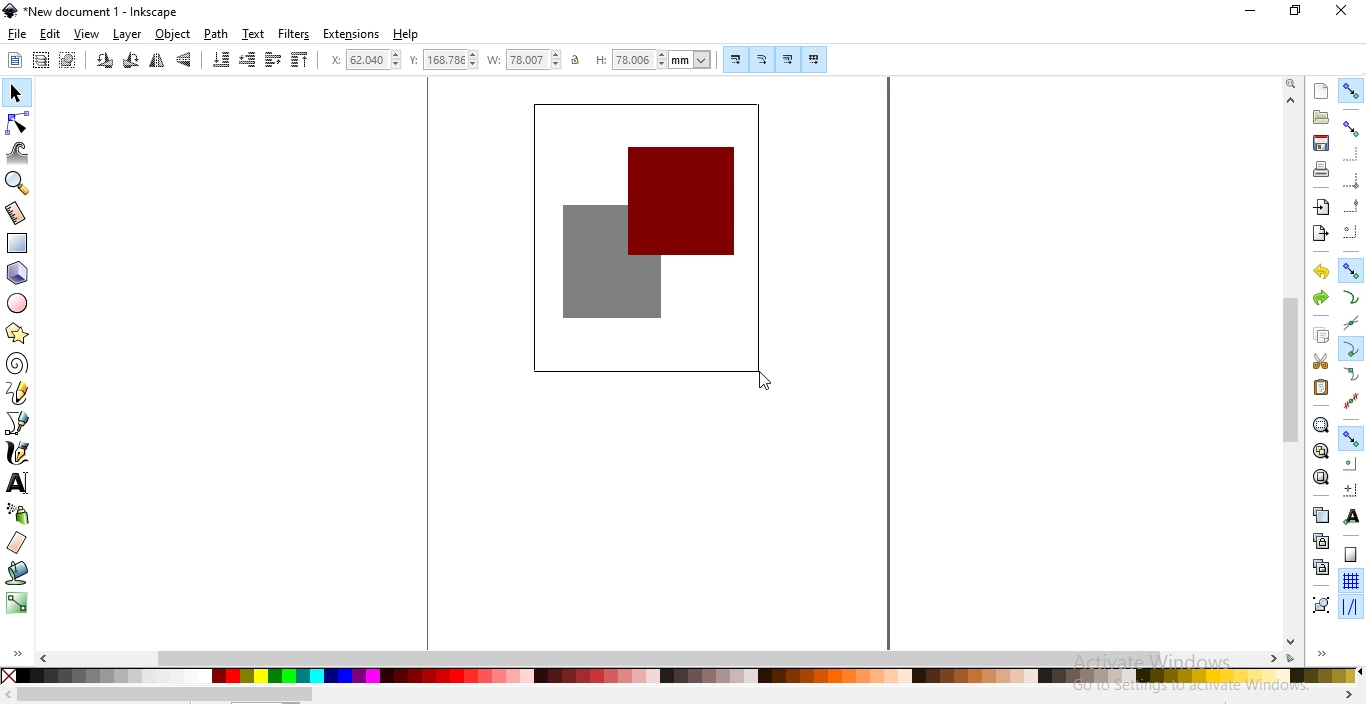 The image size is (1366, 704). Describe the element at coordinates (18, 422) in the screenshot. I see `create bezier curve and straight lines` at that location.